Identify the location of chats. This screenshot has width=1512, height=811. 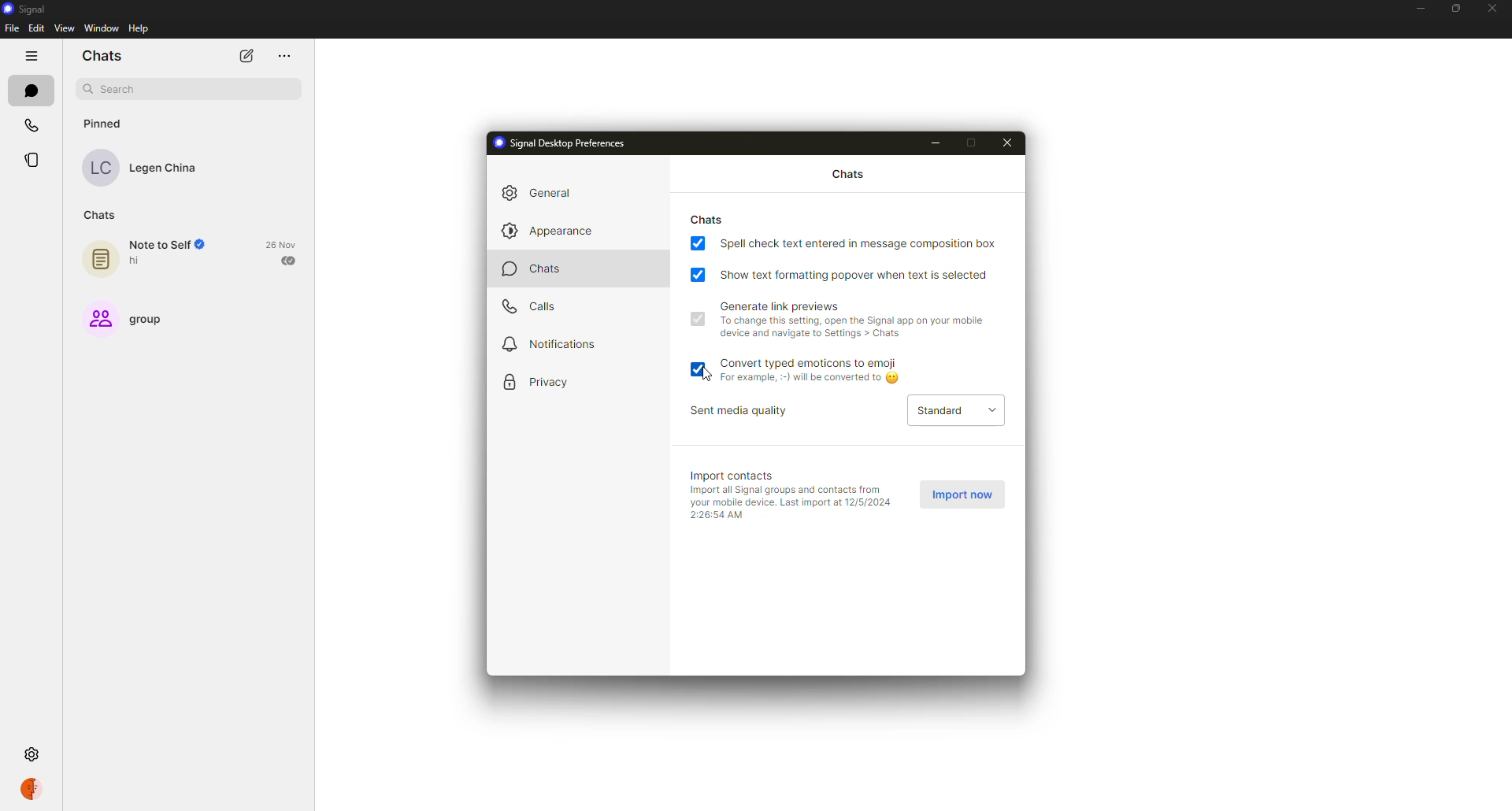
(30, 91).